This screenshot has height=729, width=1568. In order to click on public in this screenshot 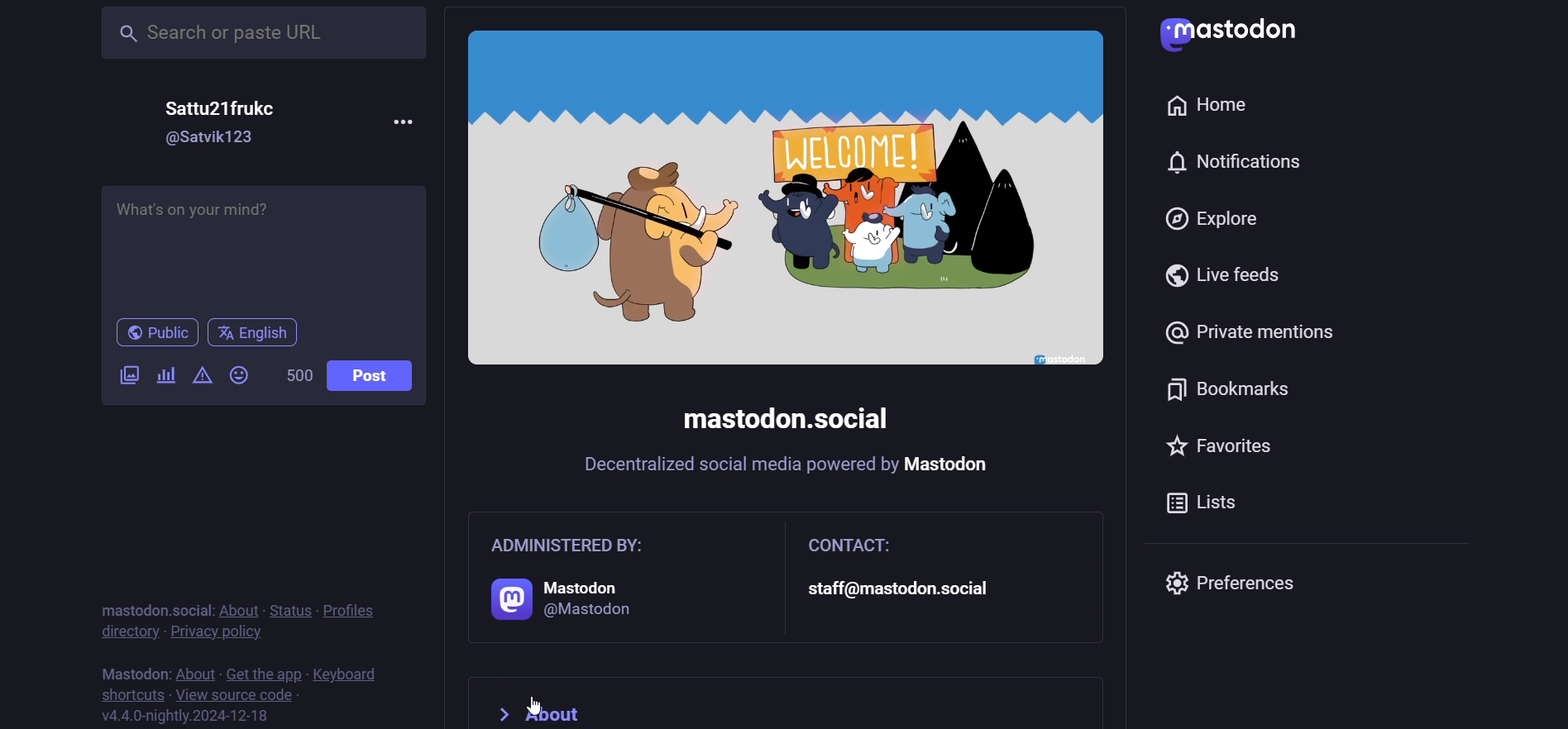, I will do `click(148, 334)`.